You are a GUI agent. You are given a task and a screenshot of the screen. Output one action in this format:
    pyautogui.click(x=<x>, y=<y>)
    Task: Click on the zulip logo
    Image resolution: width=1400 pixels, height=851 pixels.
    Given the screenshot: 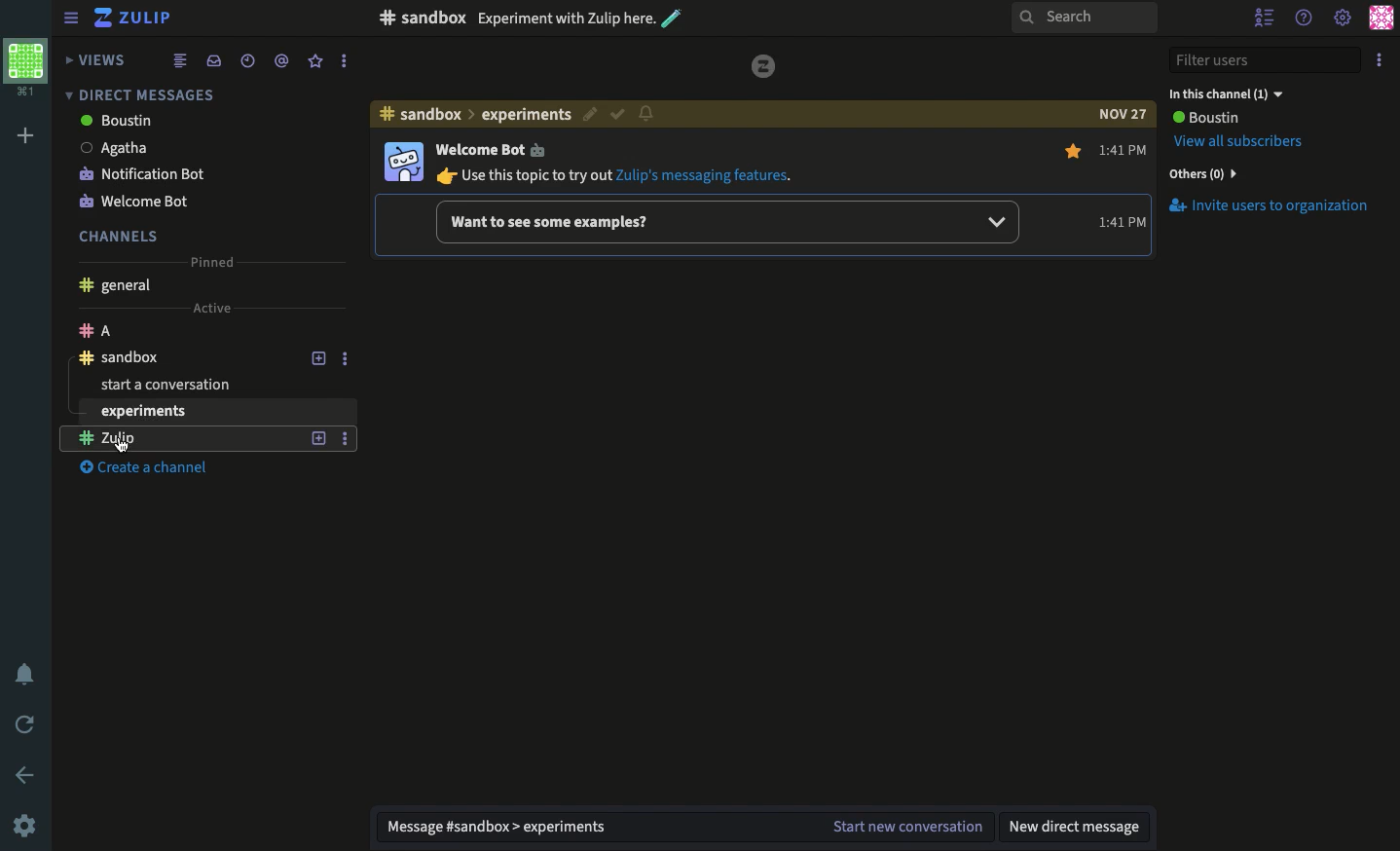 What is the action you would take?
    pyautogui.click(x=764, y=66)
    